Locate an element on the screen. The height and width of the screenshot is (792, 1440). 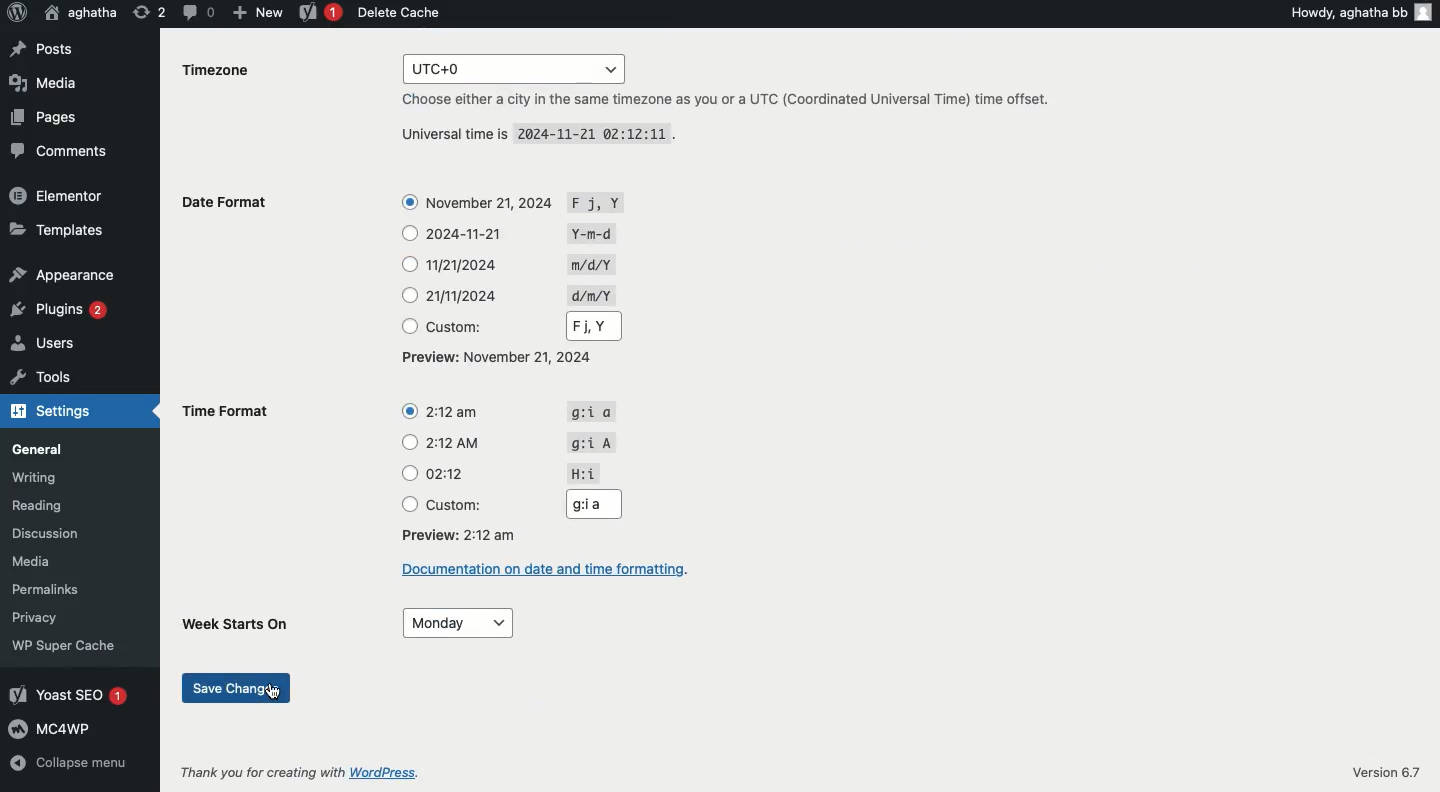
Pages is located at coordinates (40, 118).